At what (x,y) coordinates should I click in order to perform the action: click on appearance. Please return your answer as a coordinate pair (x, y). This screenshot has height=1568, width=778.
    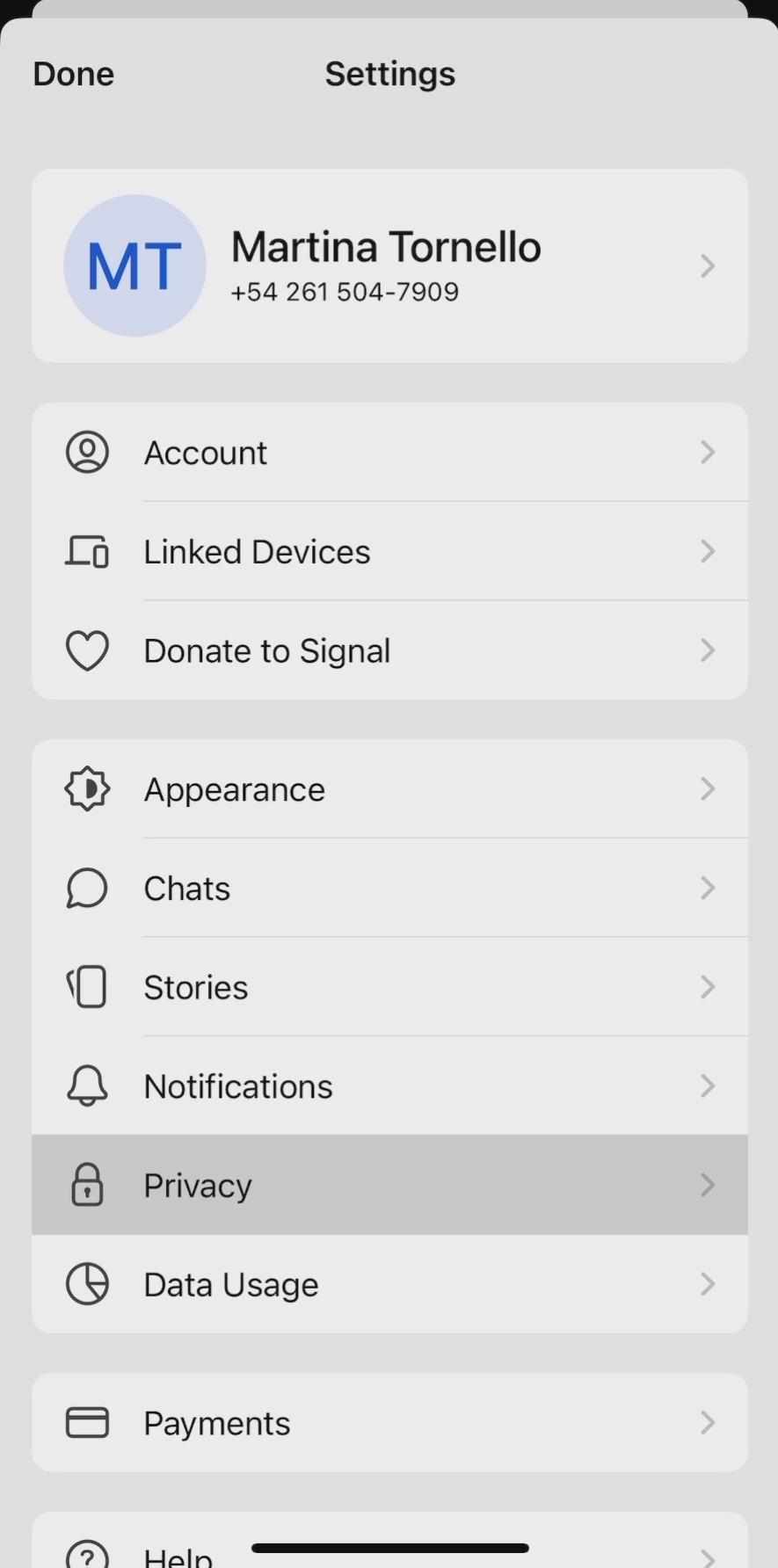
    Looking at the image, I should click on (389, 787).